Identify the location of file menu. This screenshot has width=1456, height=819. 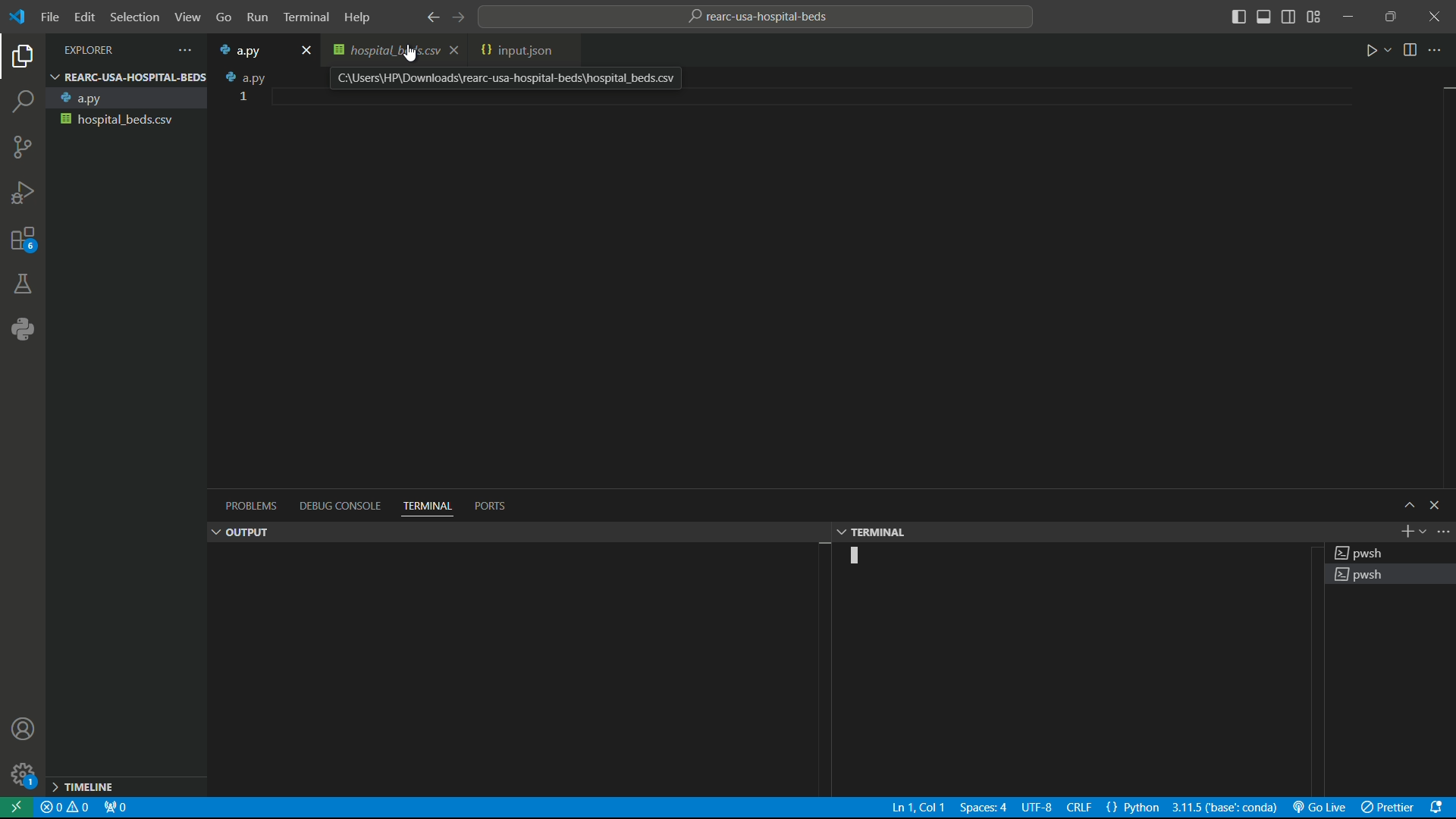
(50, 17).